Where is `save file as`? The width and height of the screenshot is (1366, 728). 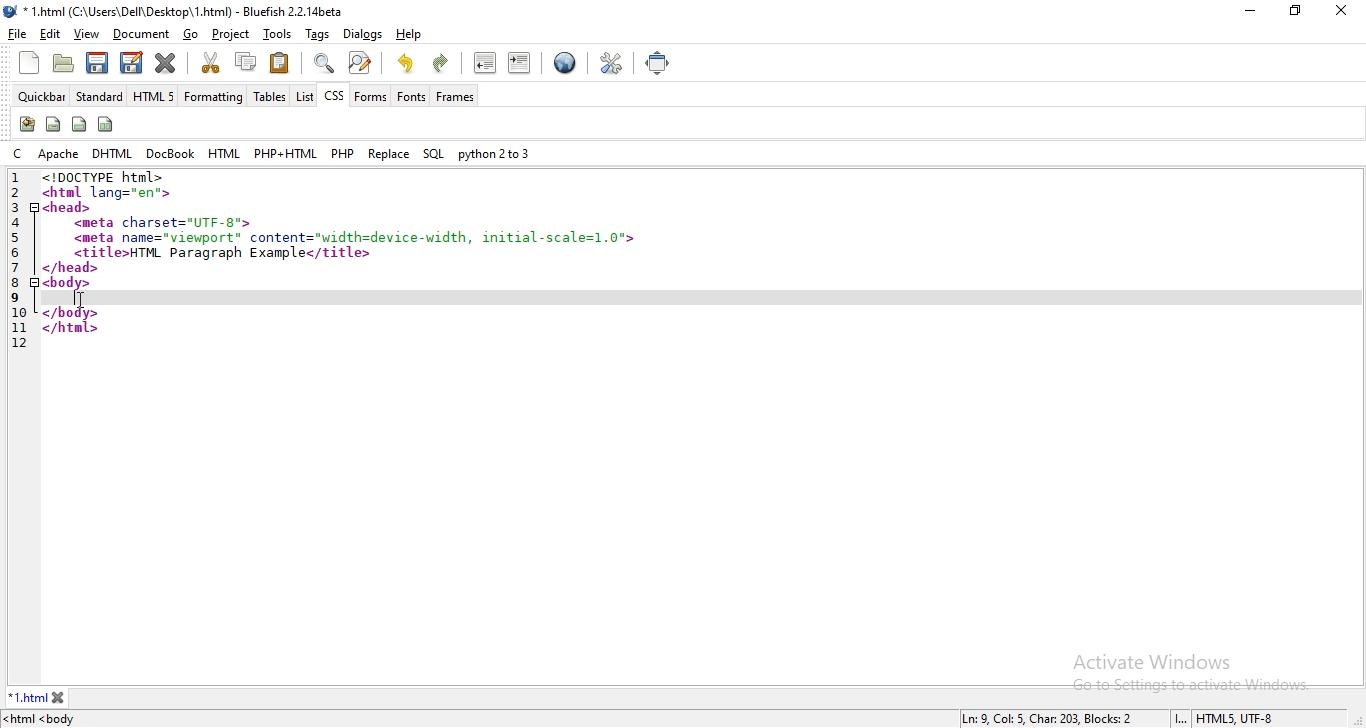 save file as is located at coordinates (131, 62).